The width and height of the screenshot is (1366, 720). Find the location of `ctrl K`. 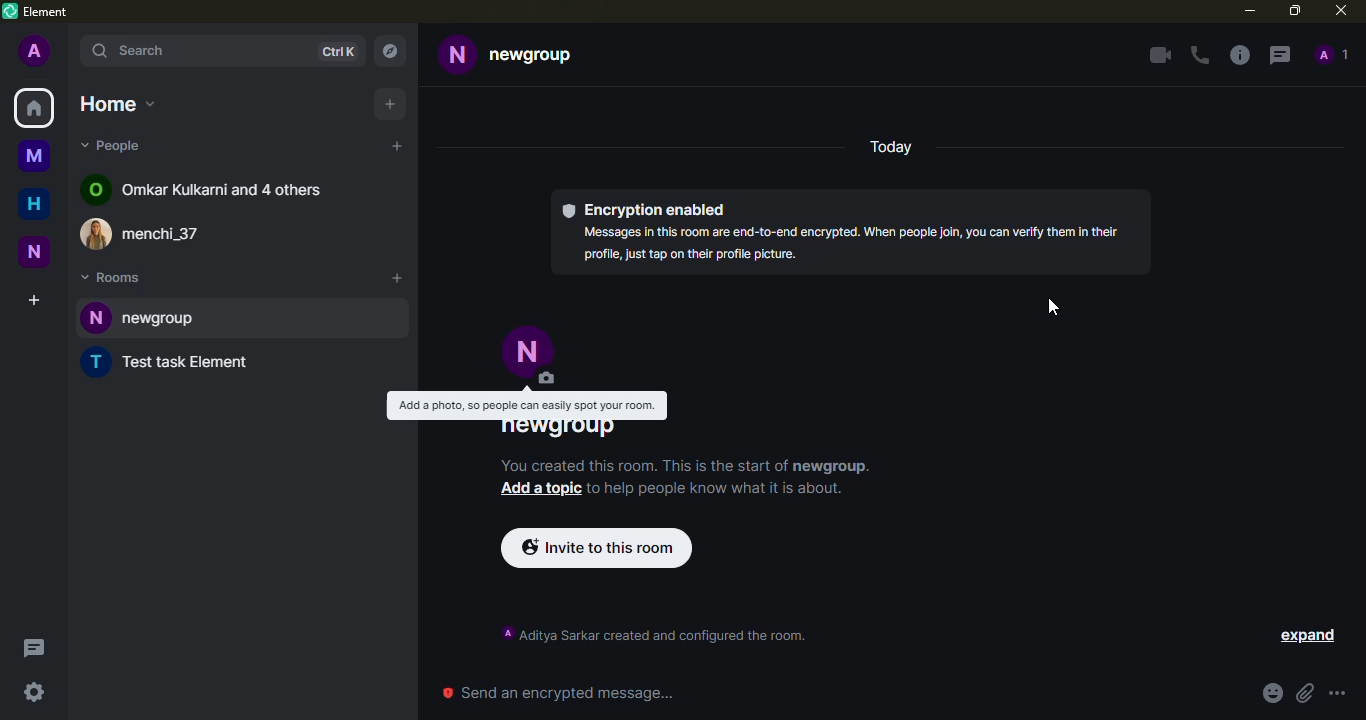

ctrl K is located at coordinates (337, 52).